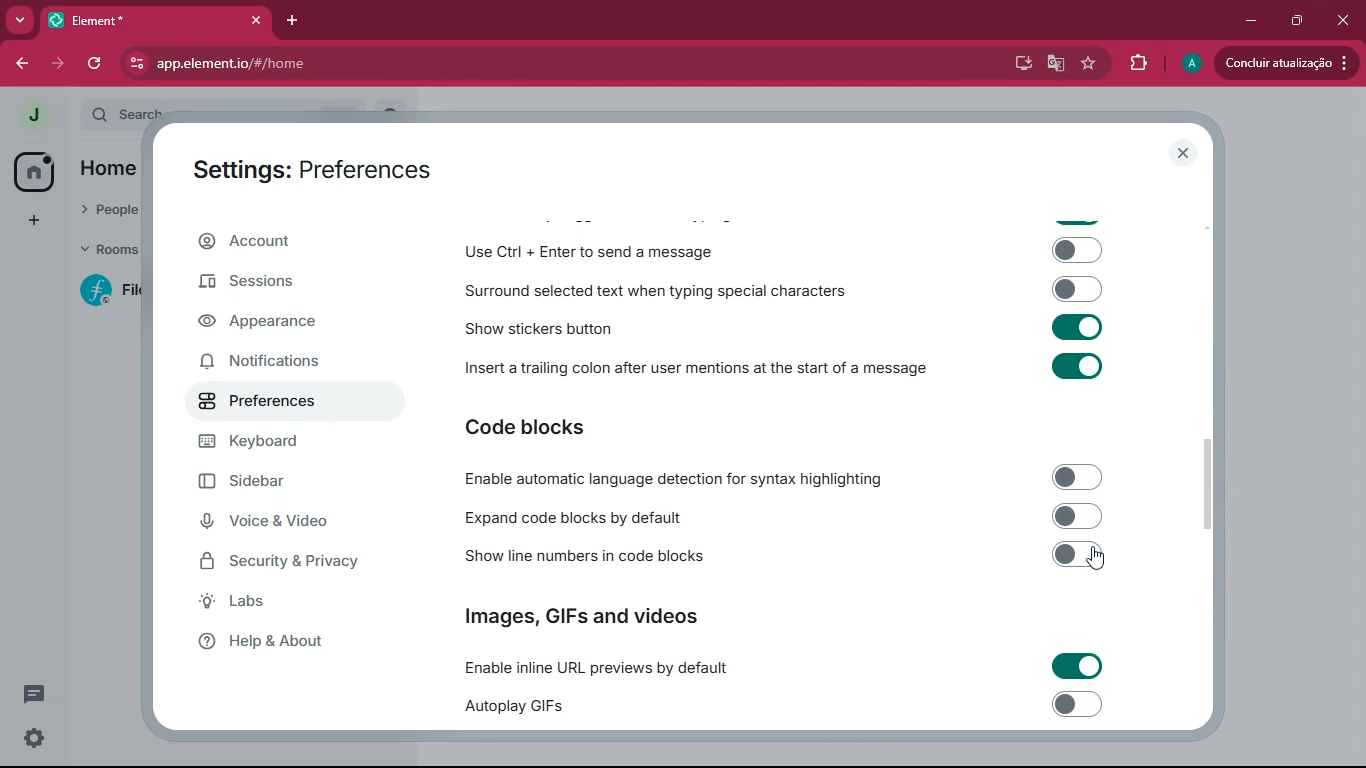 Image resolution: width=1366 pixels, height=768 pixels. What do you see at coordinates (782, 372) in the screenshot?
I see `Insert a trailing colon after user mentions at the start of a message` at bounding box center [782, 372].